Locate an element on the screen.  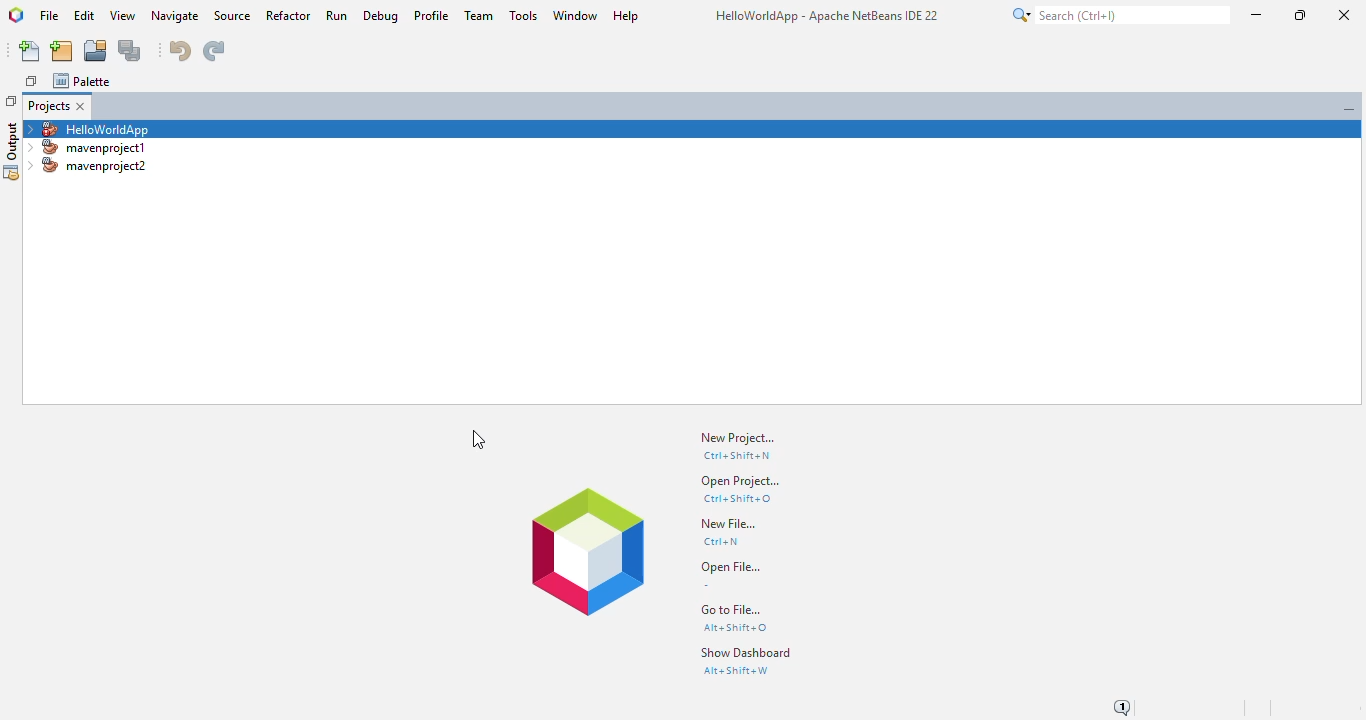
HelloWorldApp is located at coordinates (90, 128).